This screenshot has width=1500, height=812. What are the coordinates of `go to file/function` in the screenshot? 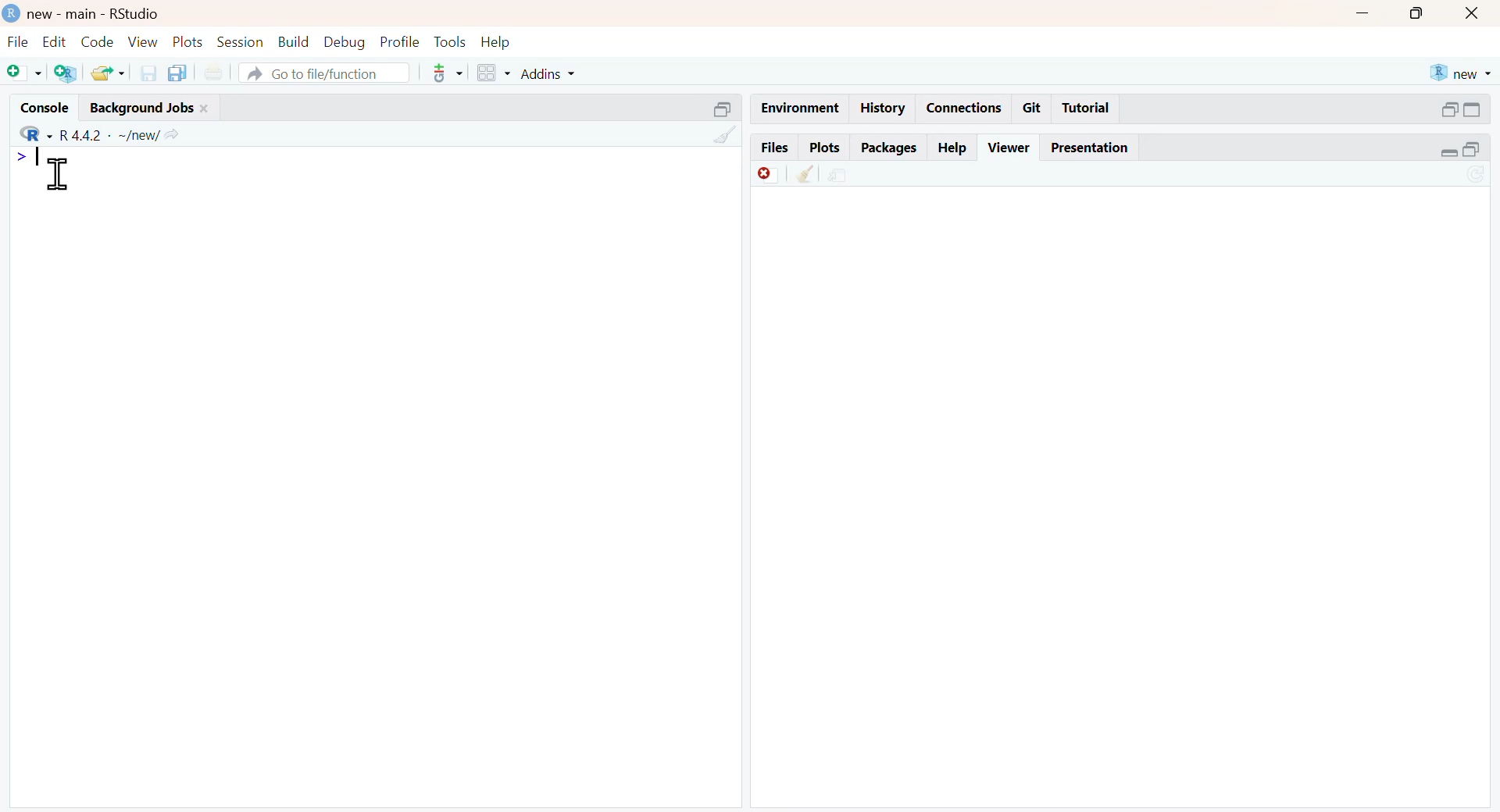 It's located at (325, 72).